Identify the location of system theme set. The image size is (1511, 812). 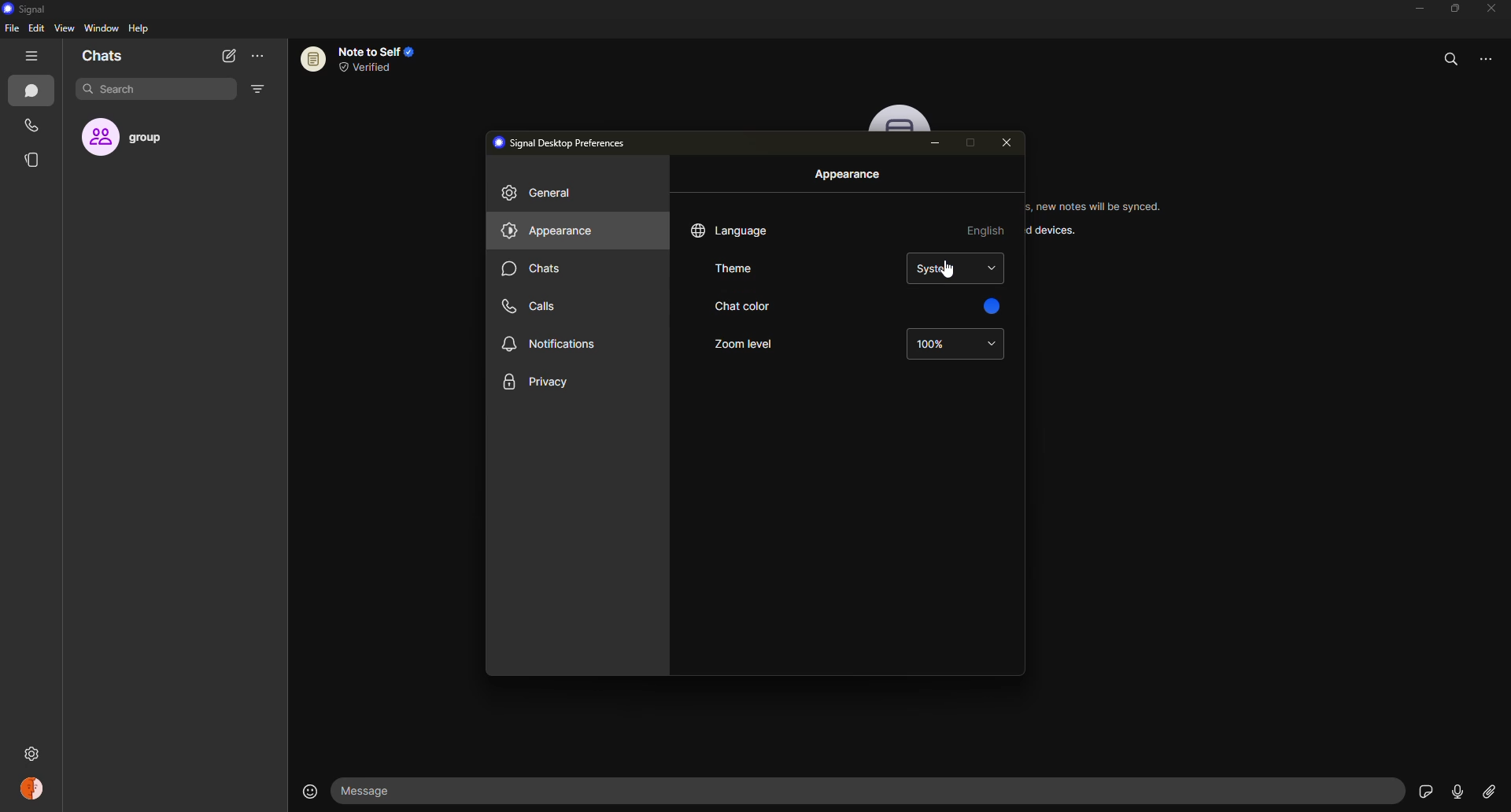
(937, 268).